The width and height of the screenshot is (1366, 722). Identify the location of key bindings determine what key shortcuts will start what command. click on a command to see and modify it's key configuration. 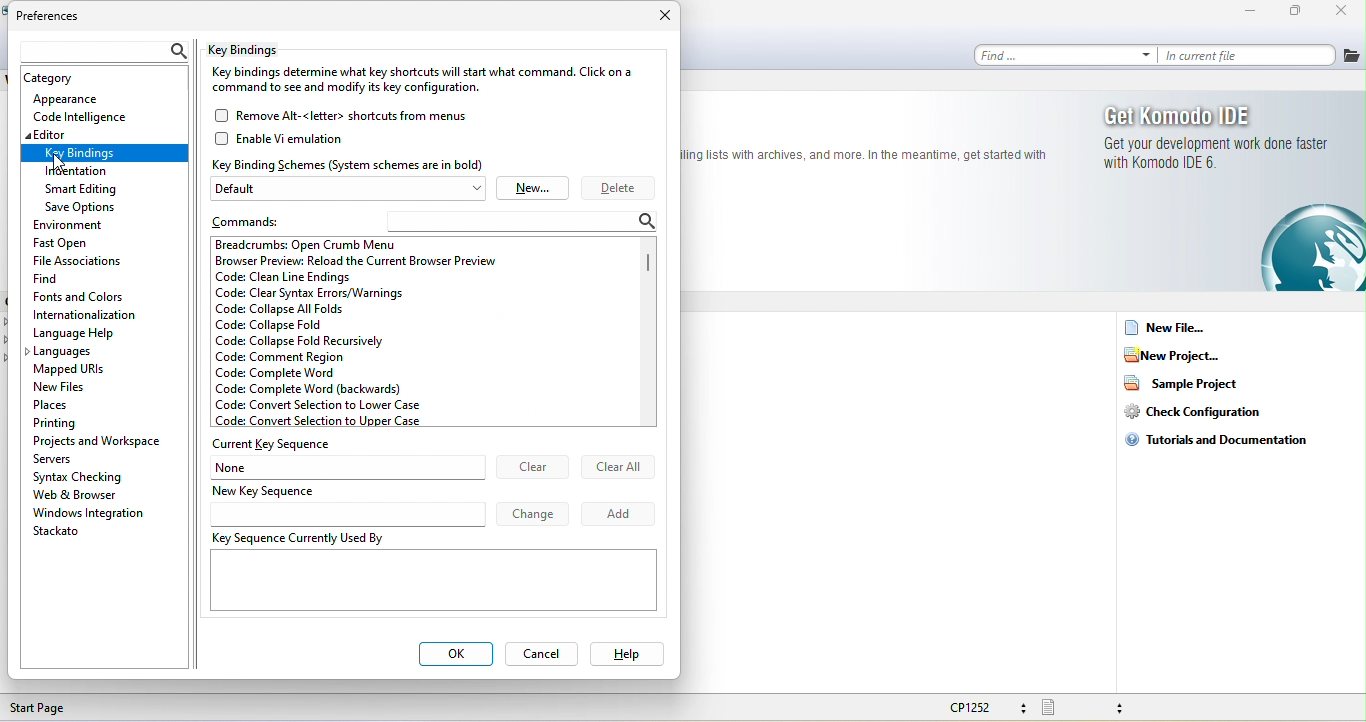
(424, 82).